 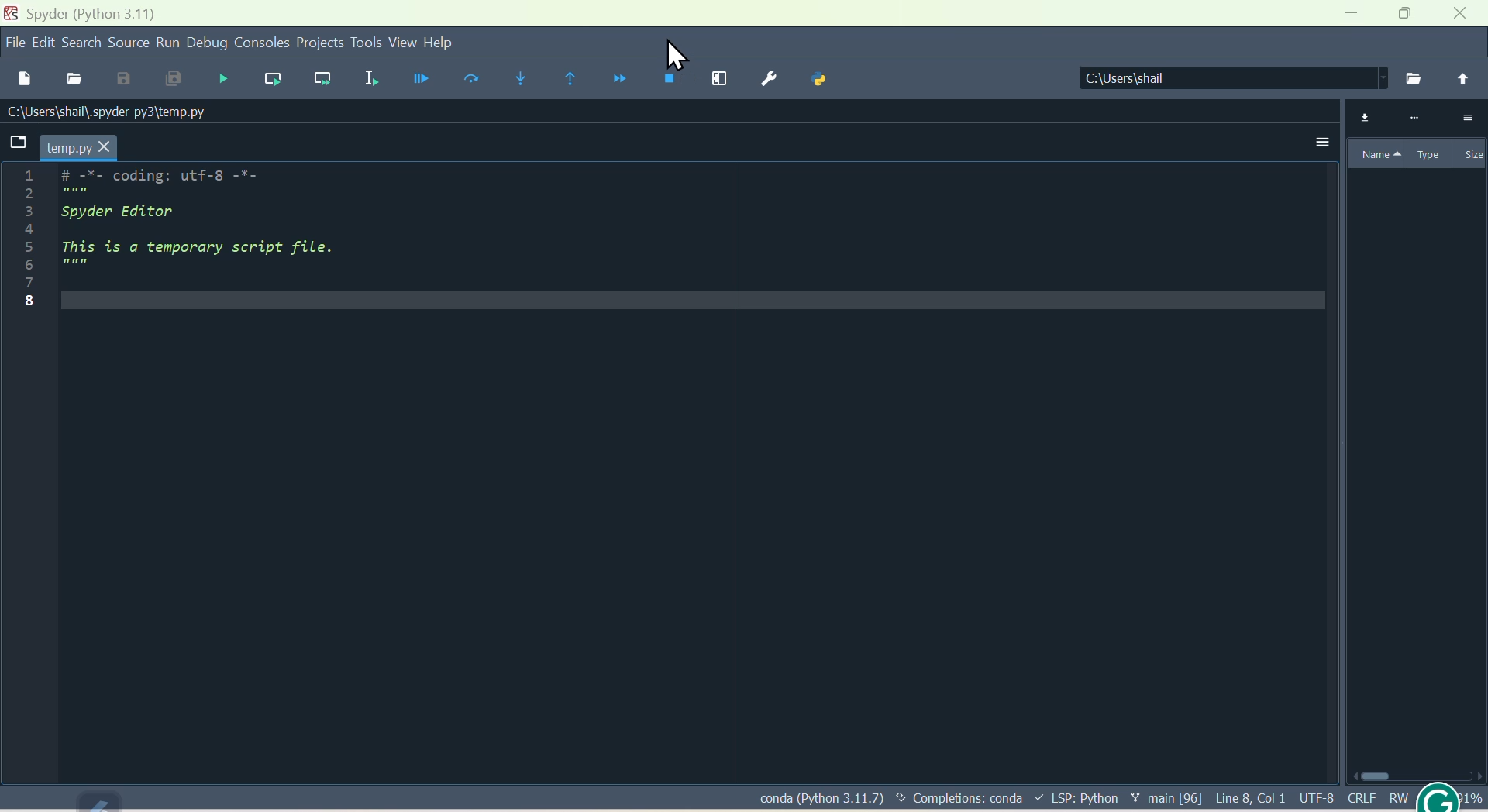 I want to click on , so click(x=421, y=80).